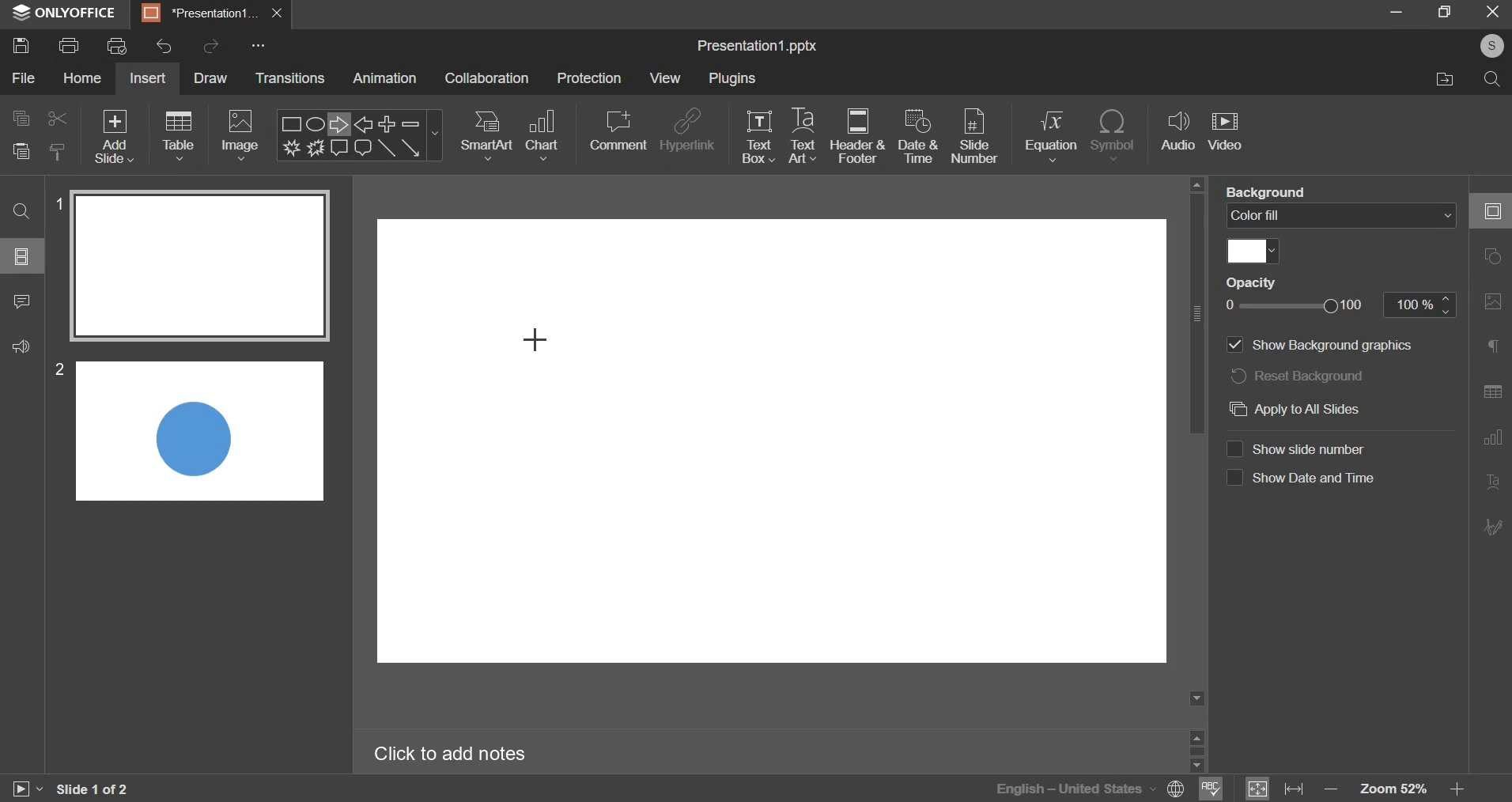  I want to click on minimize, so click(1399, 11).